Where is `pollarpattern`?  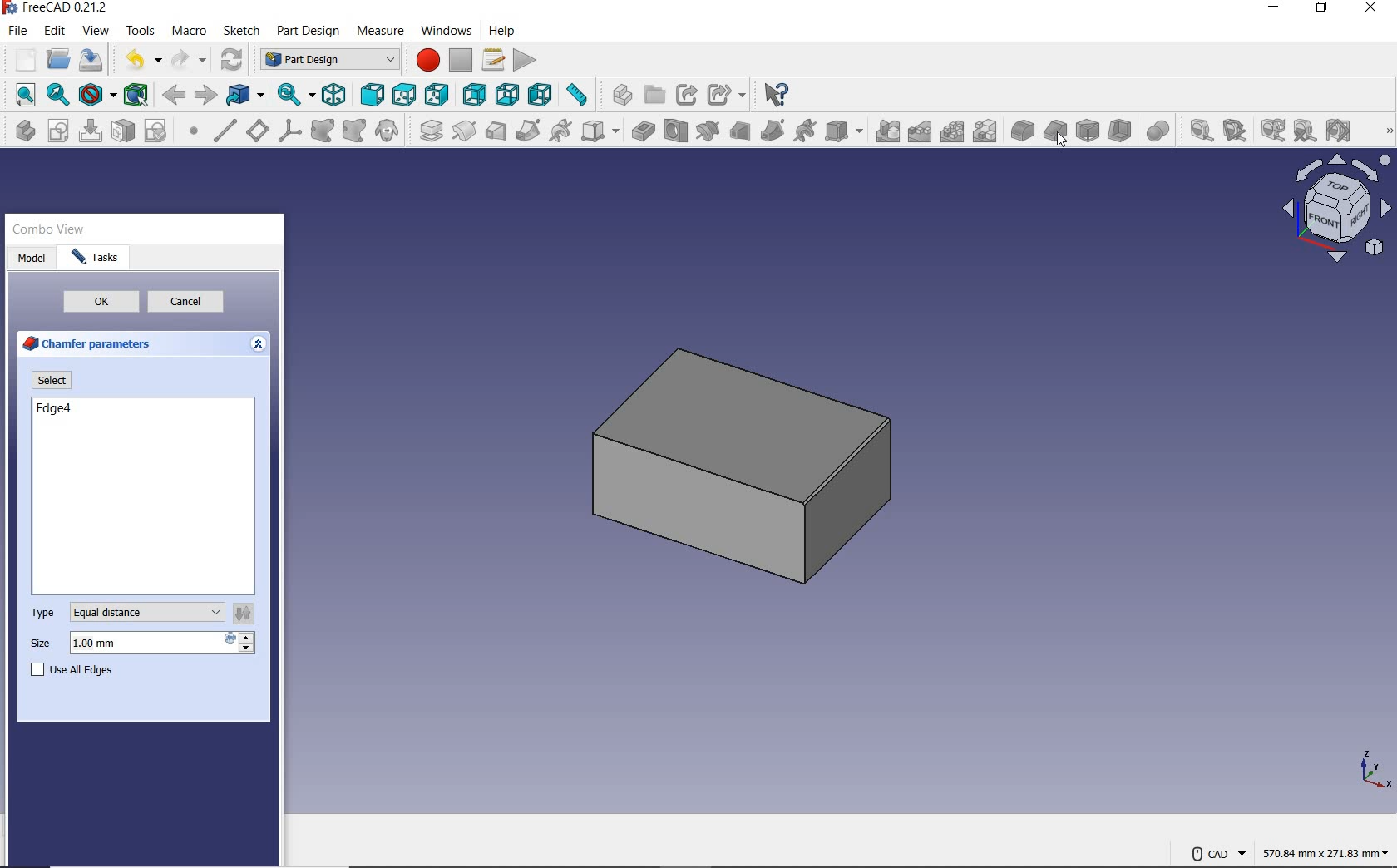 pollarpattern is located at coordinates (951, 133).